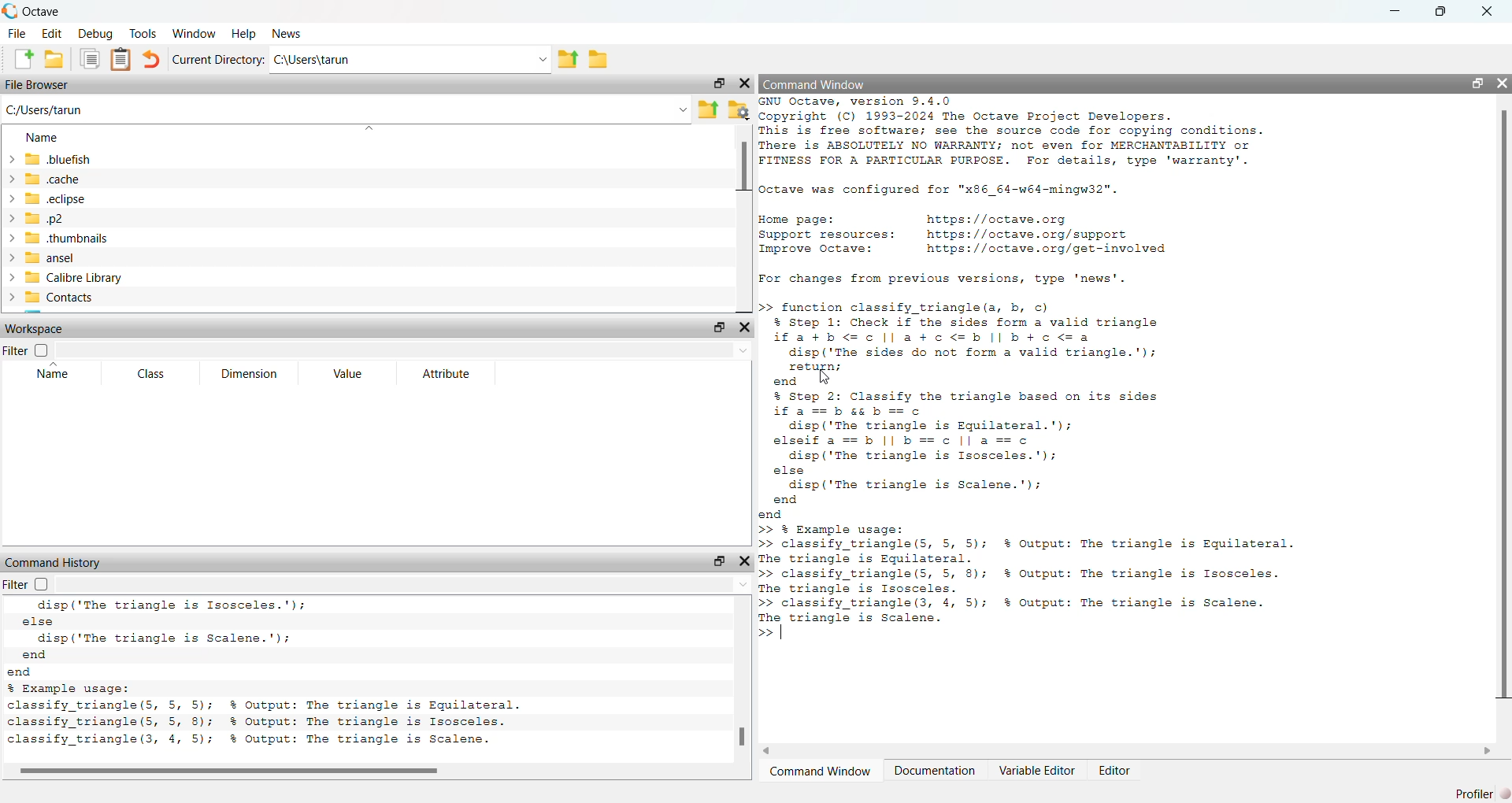  Describe the element at coordinates (248, 375) in the screenshot. I see `dimension` at that location.